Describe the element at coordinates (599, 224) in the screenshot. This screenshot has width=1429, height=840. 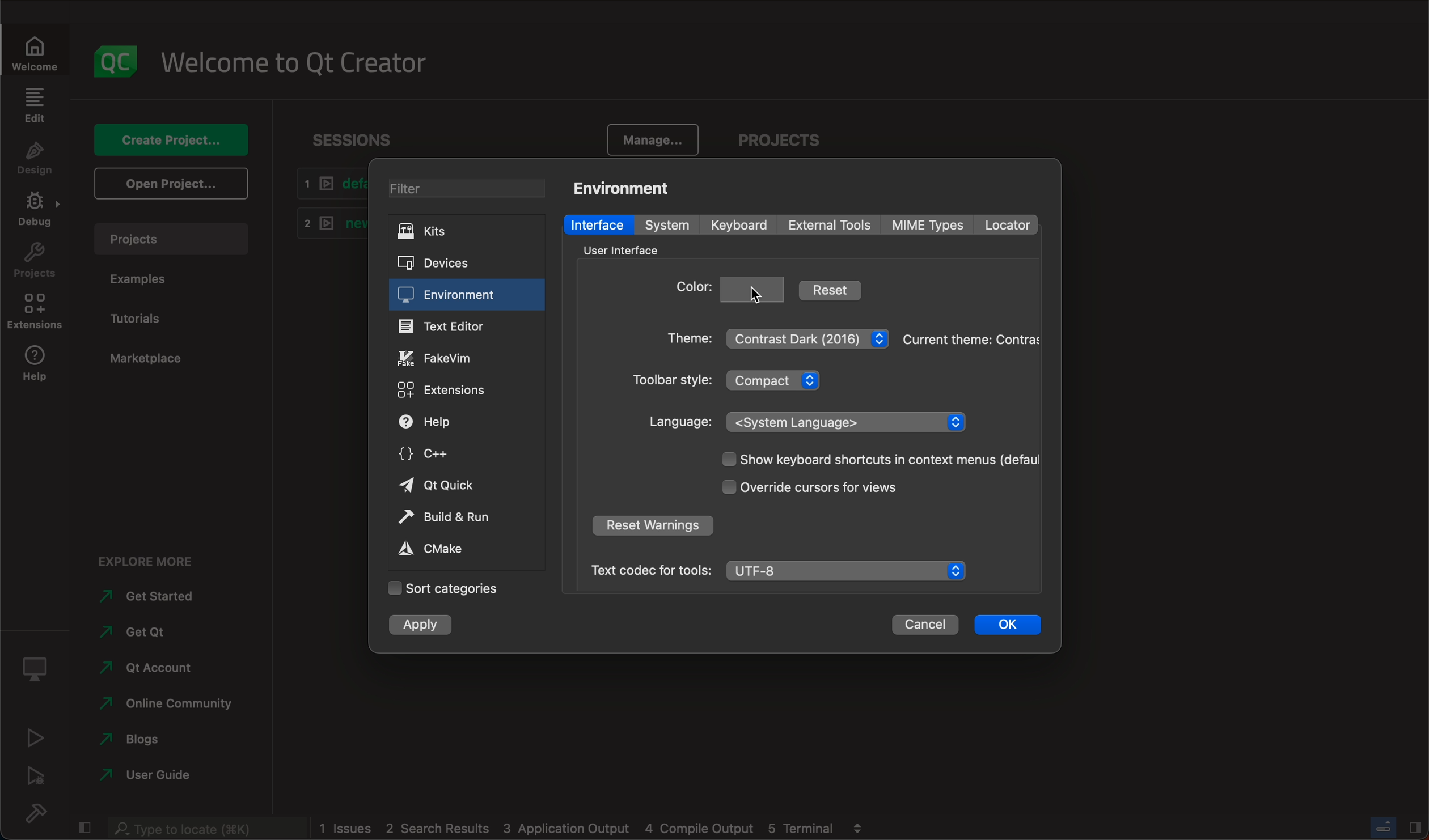
I see `interface` at that location.